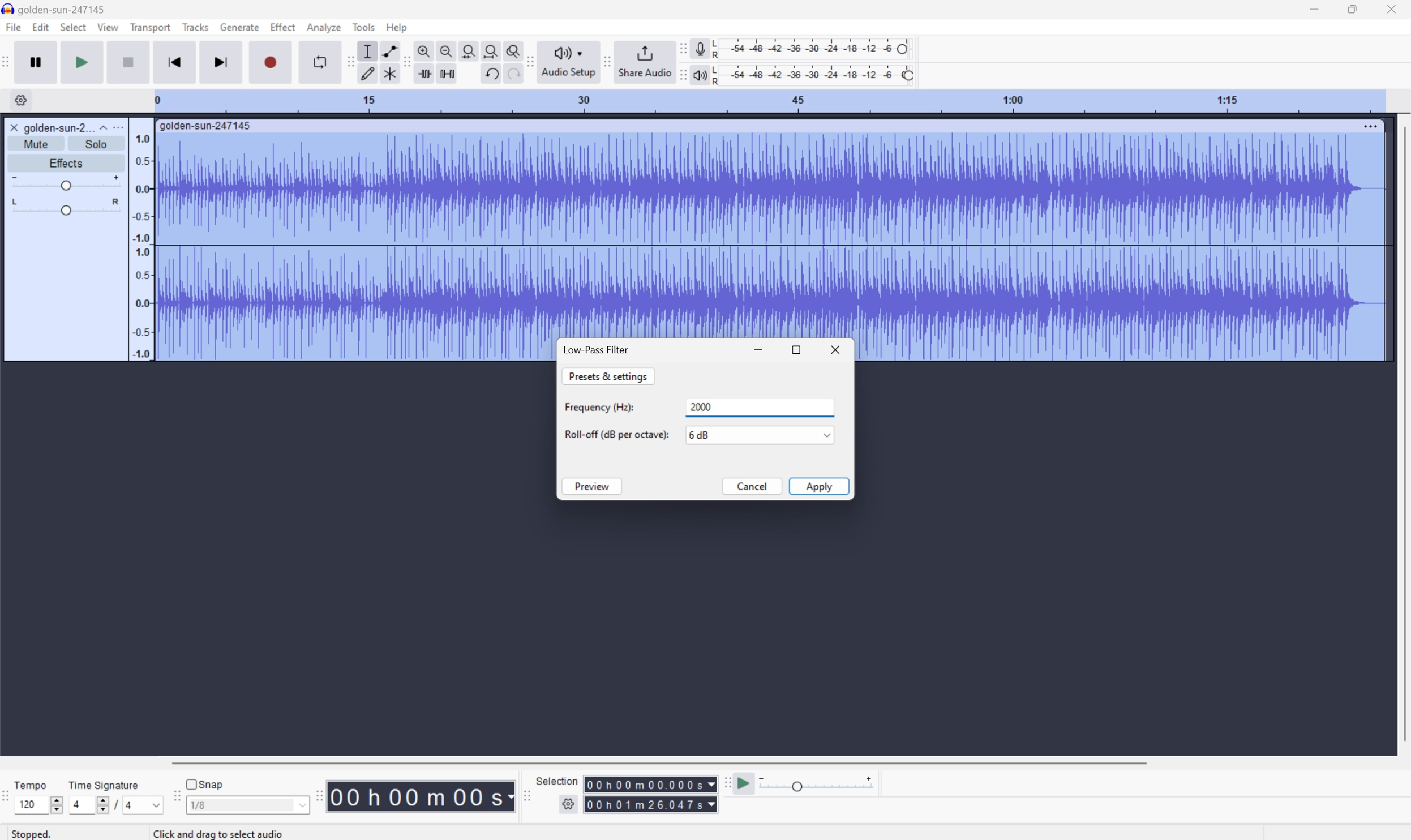  I want to click on Zoom in, so click(426, 48).